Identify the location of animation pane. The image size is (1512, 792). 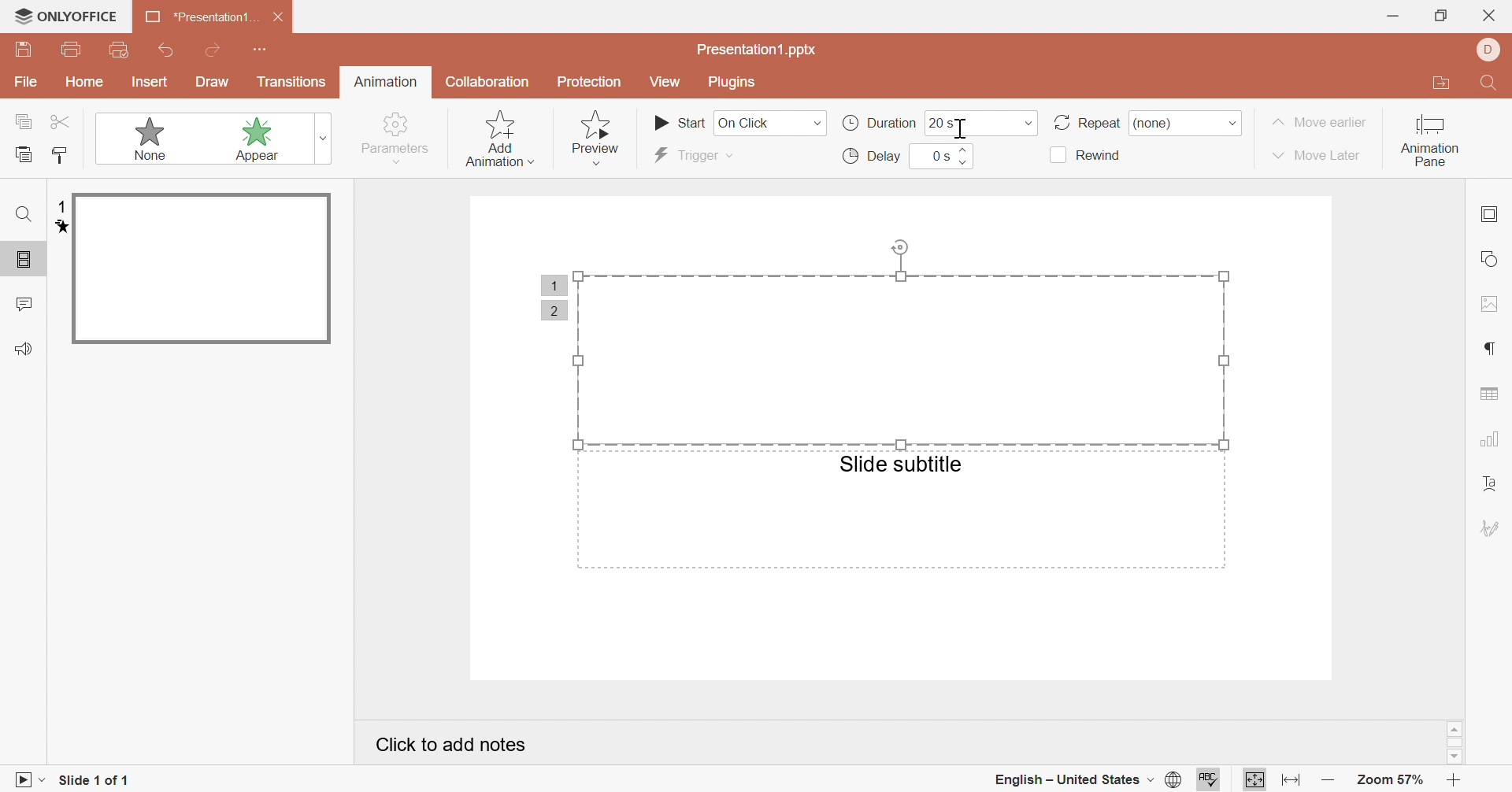
(1430, 142).